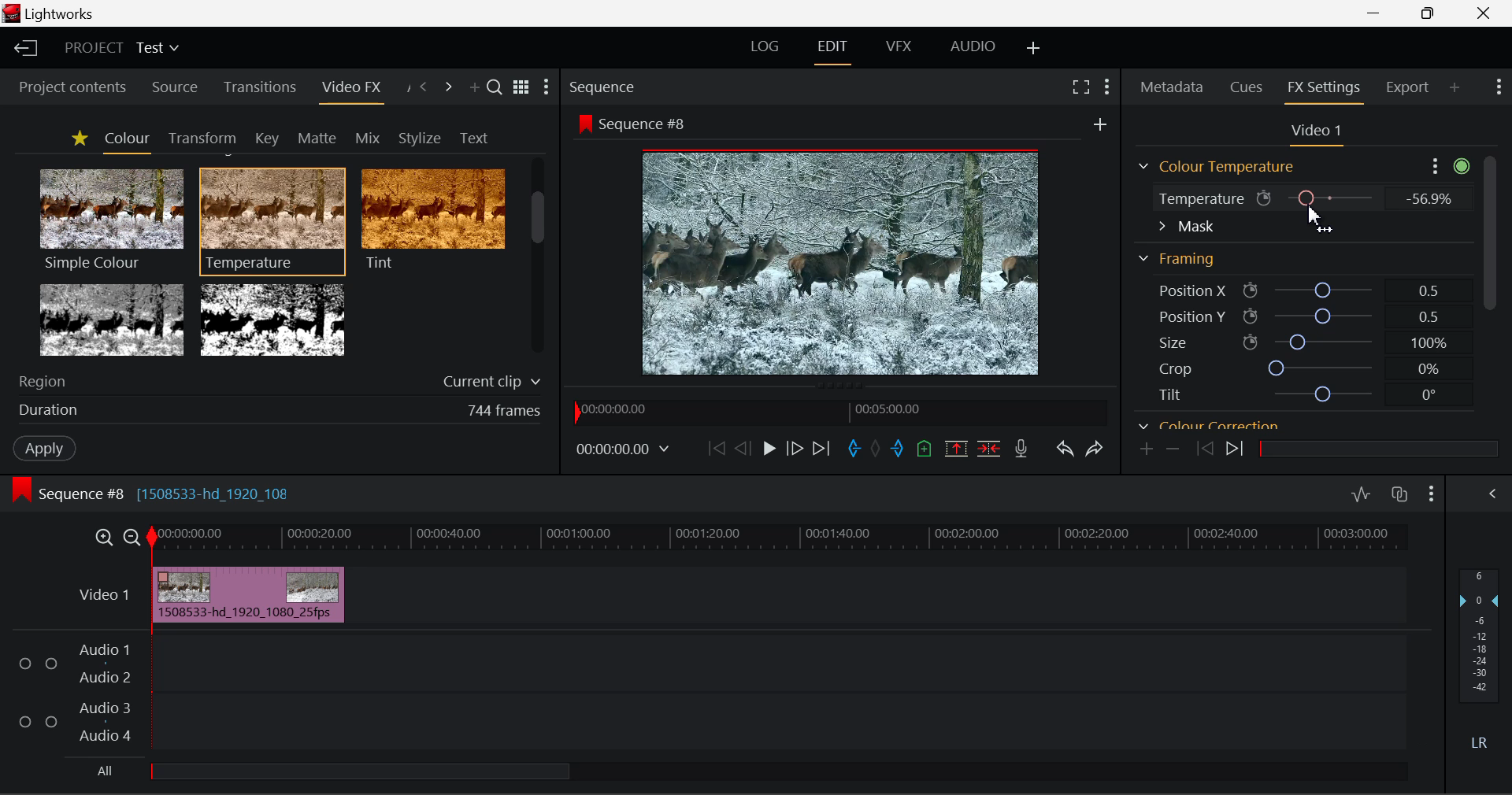  I want to click on Remove keyframe, so click(1173, 451).